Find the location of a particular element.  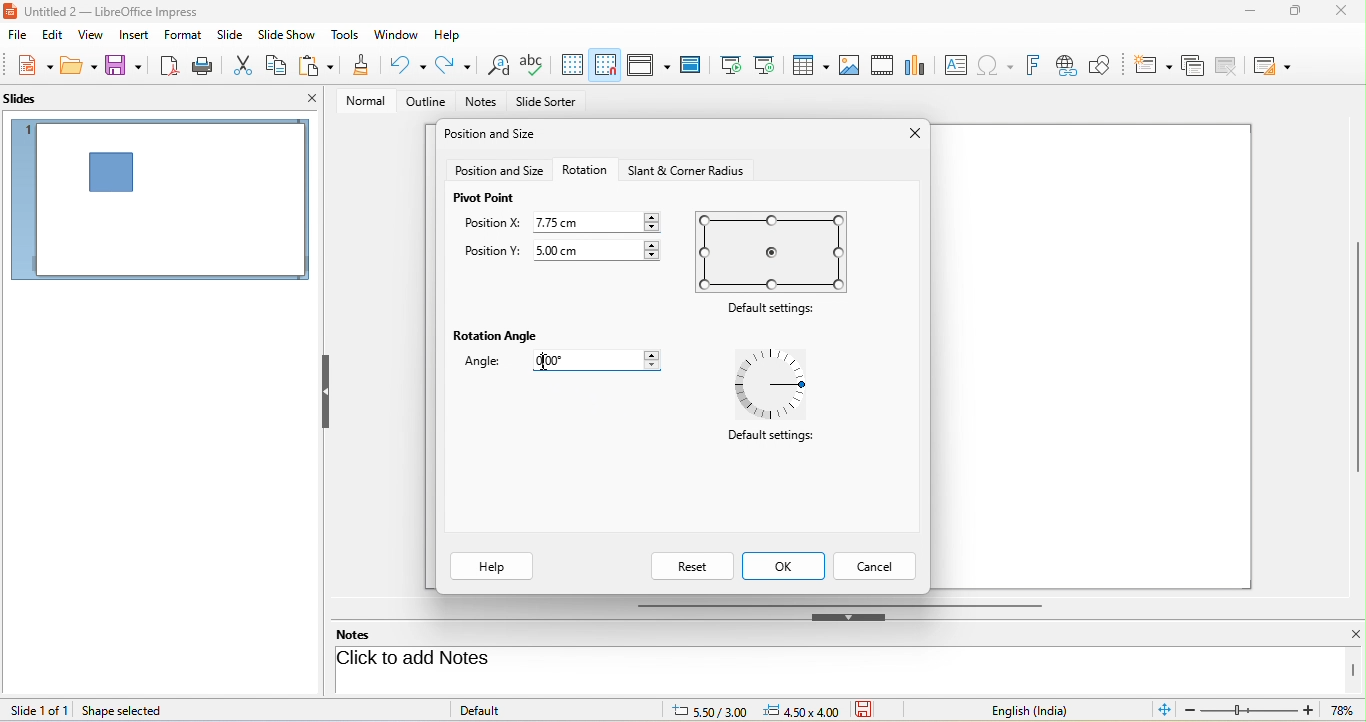

side is located at coordinates (234, 35).